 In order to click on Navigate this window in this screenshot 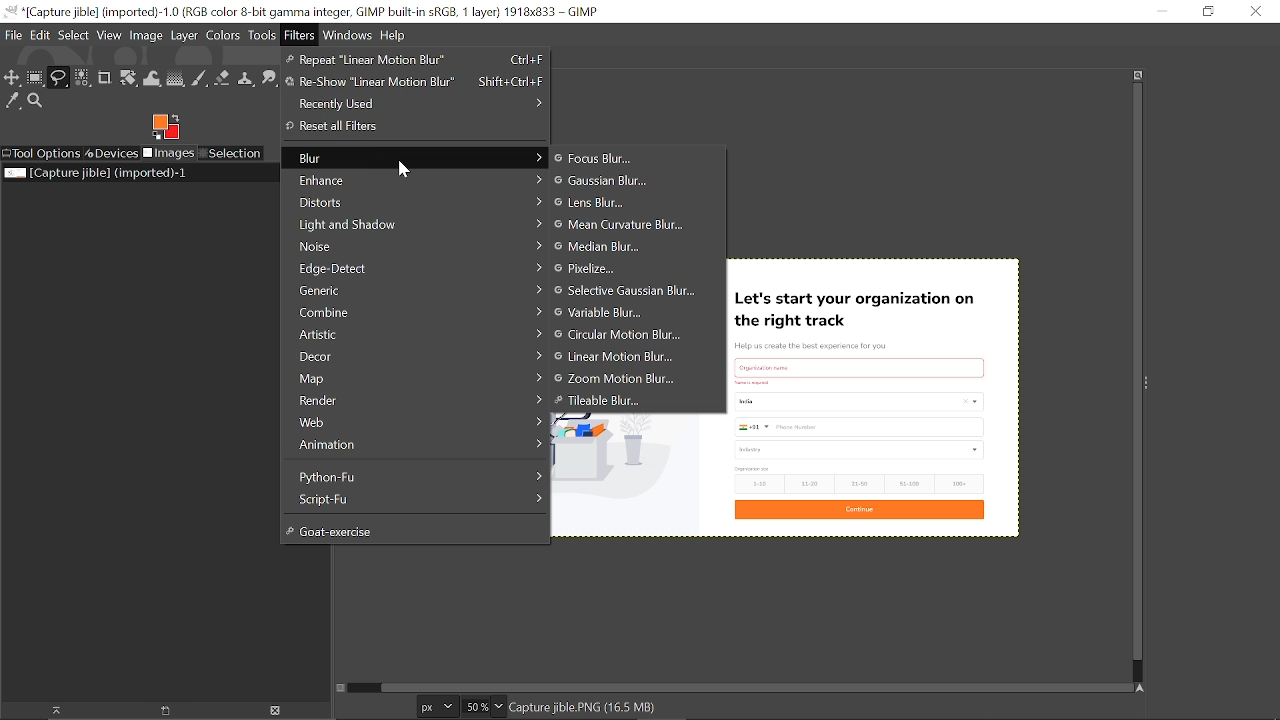, I will do `click(1144, 689)`.